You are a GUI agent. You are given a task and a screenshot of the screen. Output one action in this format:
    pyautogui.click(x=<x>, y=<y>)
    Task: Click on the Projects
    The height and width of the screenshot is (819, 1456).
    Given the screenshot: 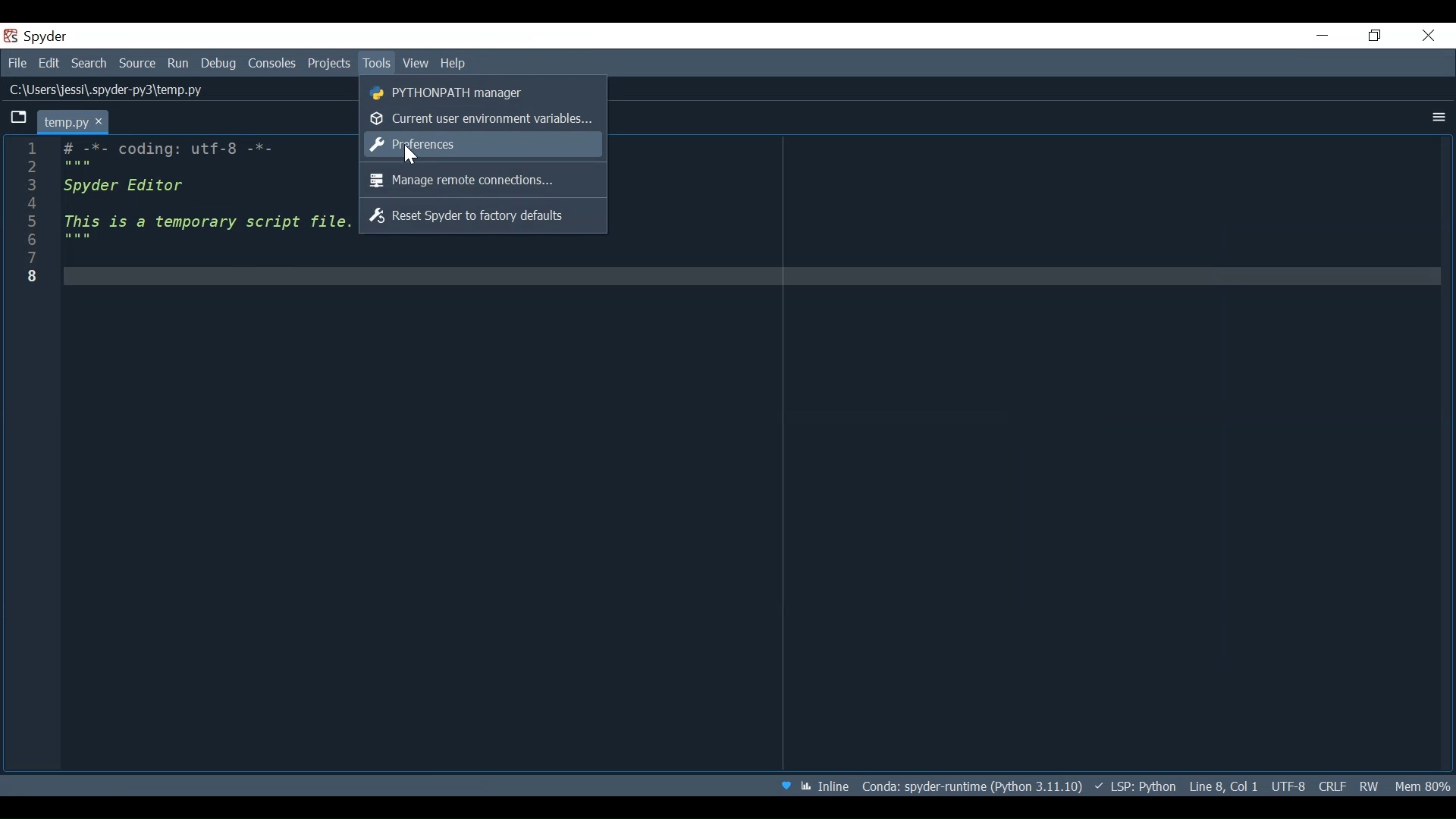 What is the action you would take?
    pyautogui.click(x=331, y=63)
    